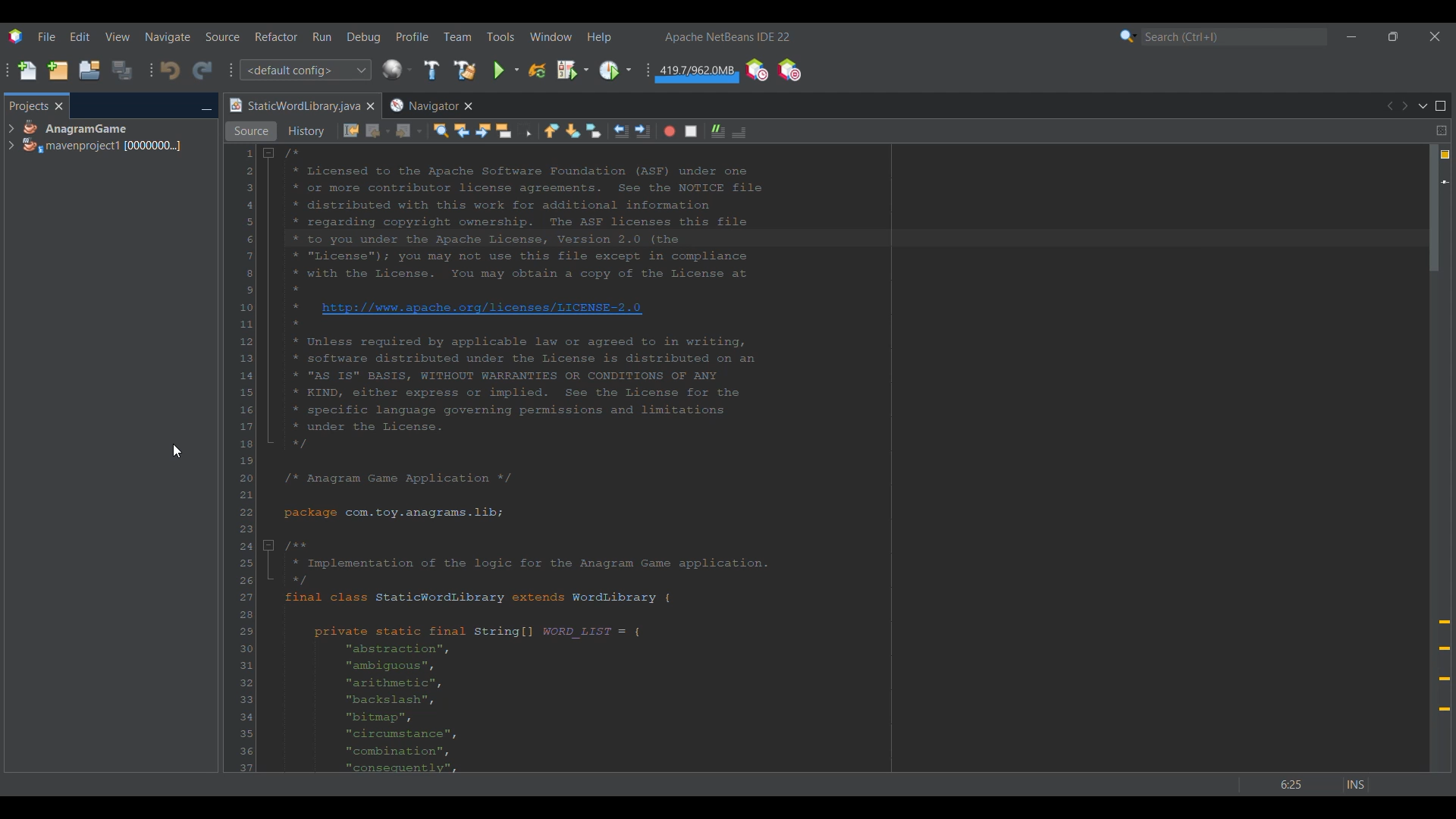 The image size is (1456, 819). I want to click on Close, so click(370, 106).